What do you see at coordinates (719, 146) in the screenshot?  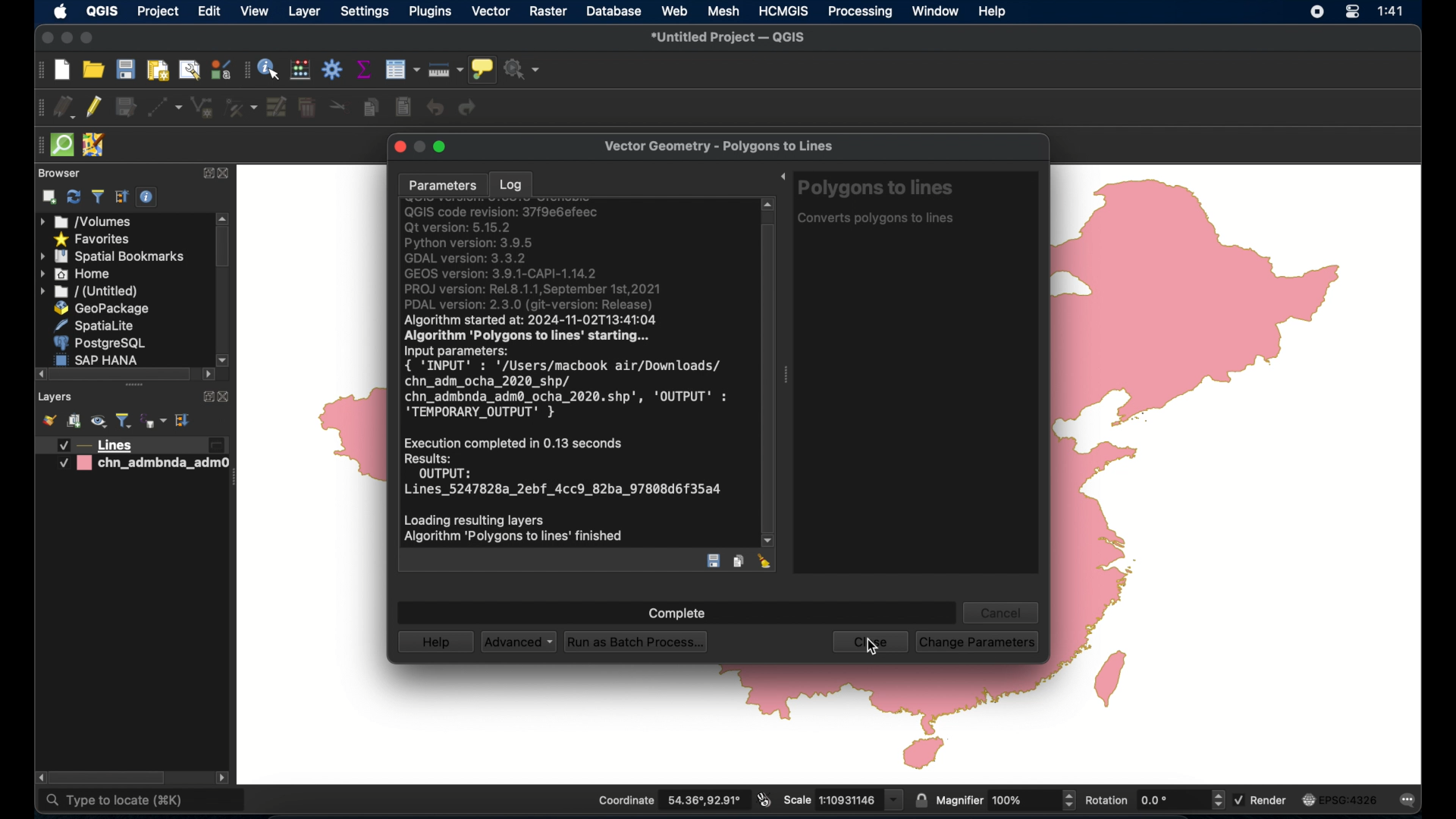 I see `vector geometry - polygons to lines` at bounding box center [719, 146].